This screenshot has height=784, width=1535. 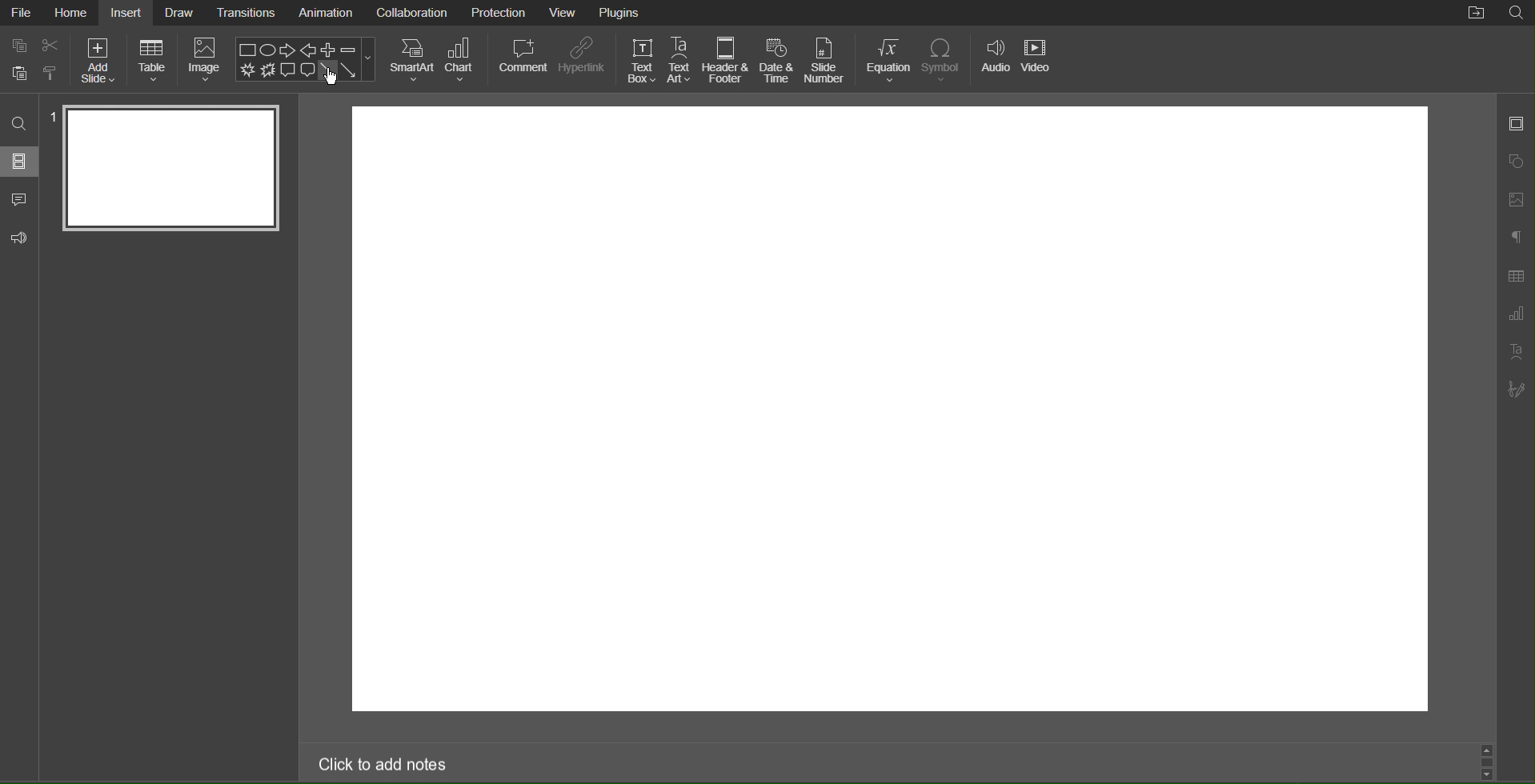 I want to click on Transitions, so click(x=247, y=12).